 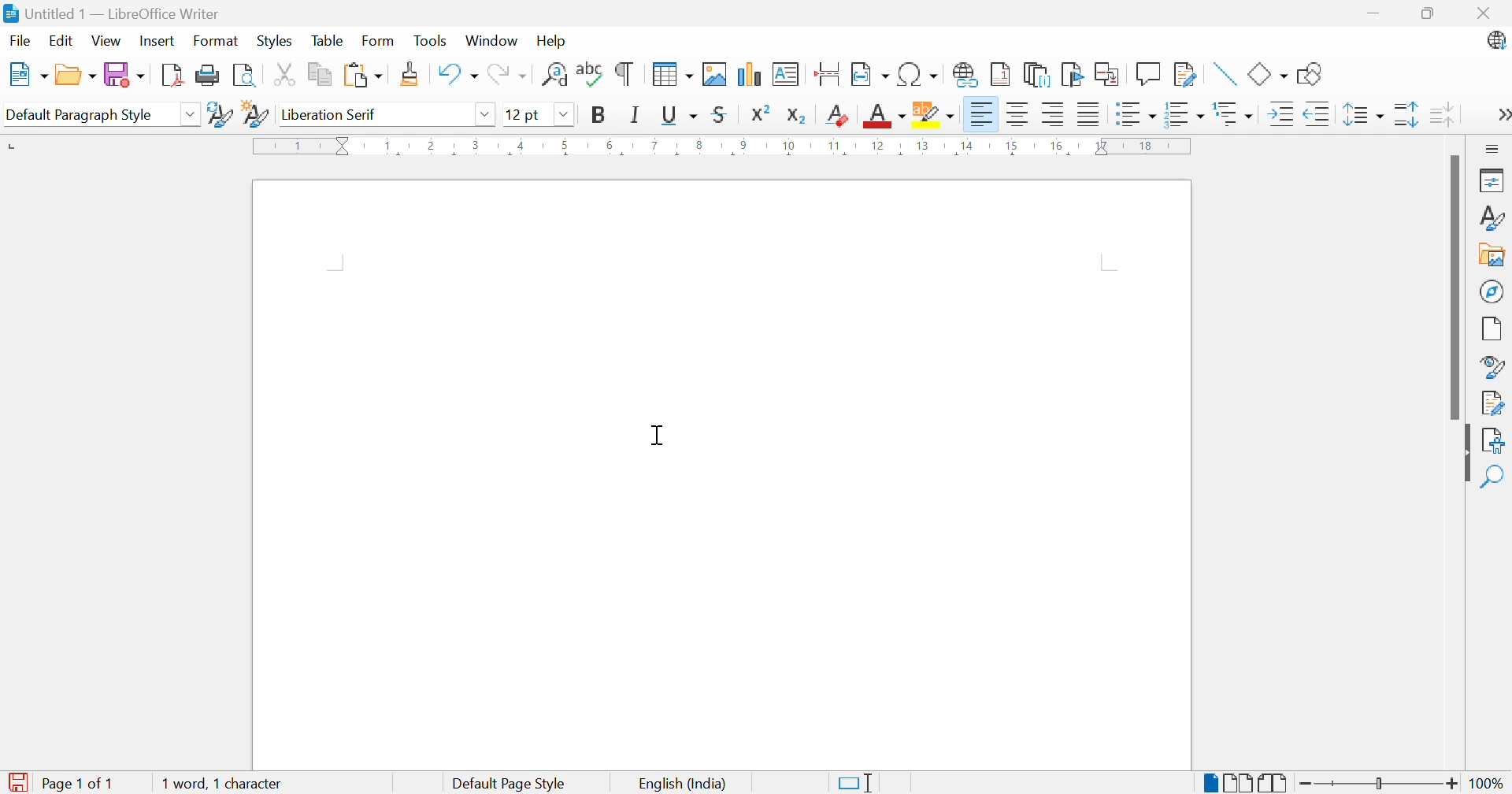 What do you see at coordinates (798, 117) in the screenshot?
I see `Subscript` at bounding box center [798, 117].